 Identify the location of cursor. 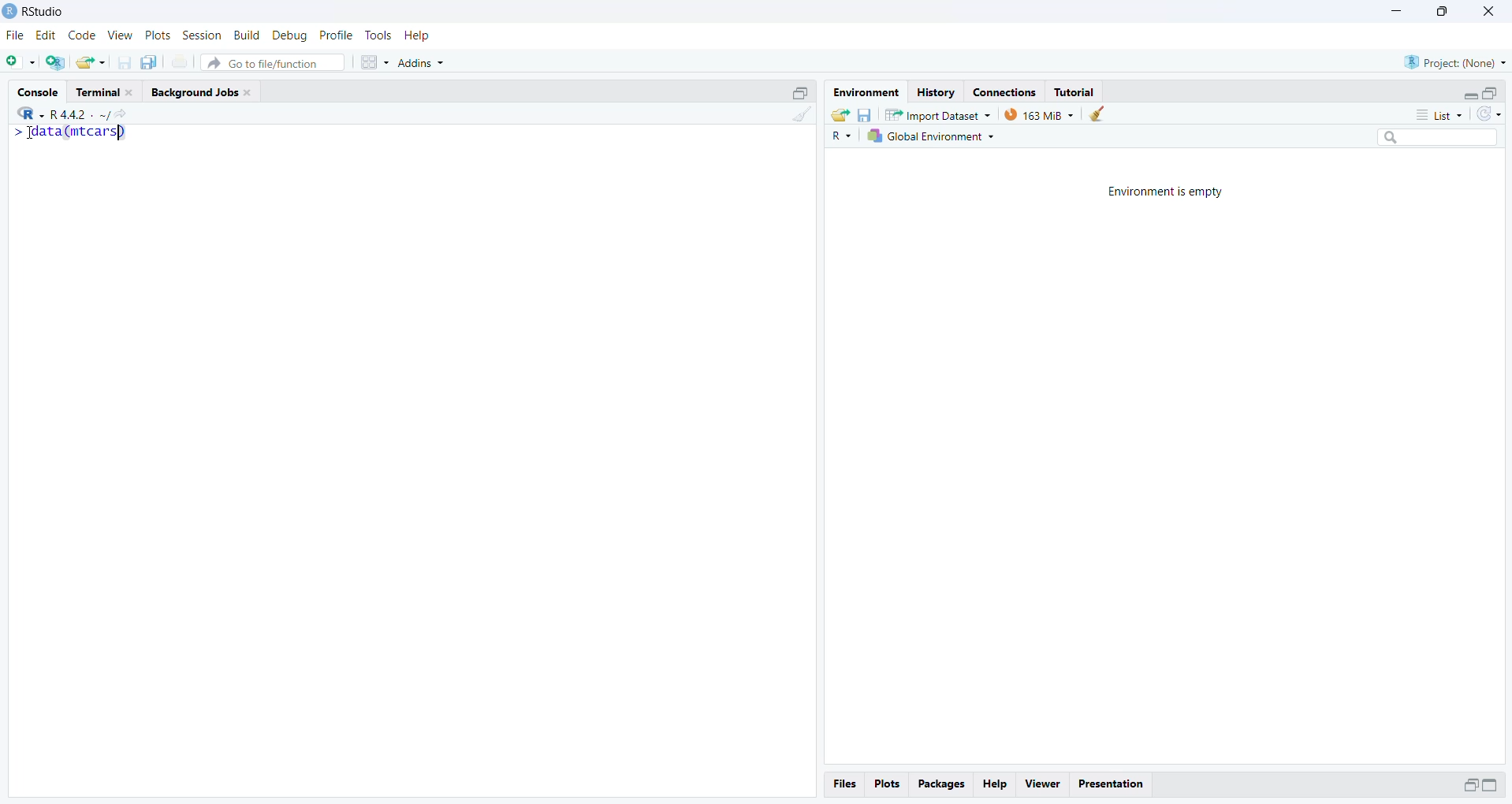
(32, 132).